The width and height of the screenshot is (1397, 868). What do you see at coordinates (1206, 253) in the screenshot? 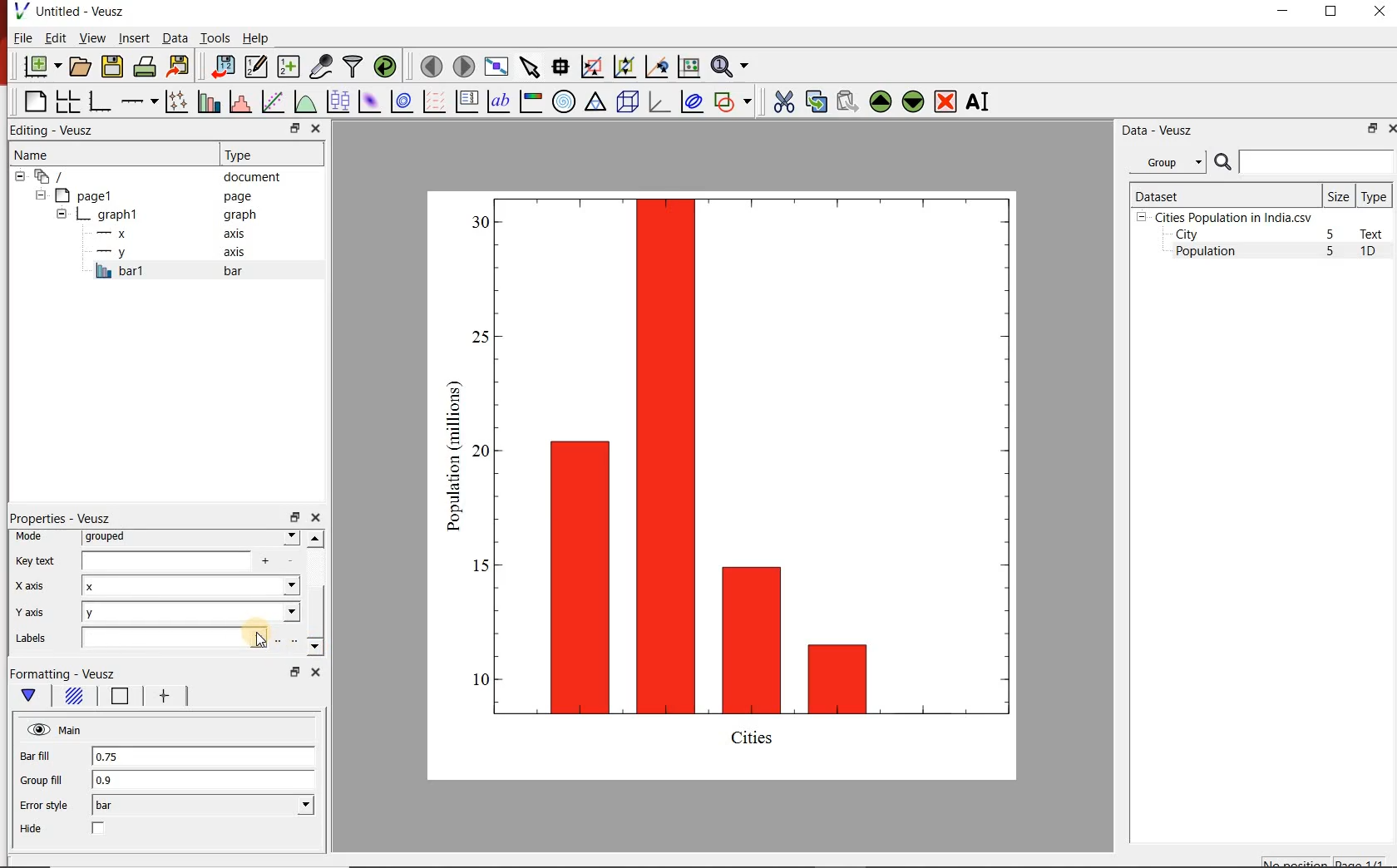
I see `Population` at bounding box center [1206, 253].